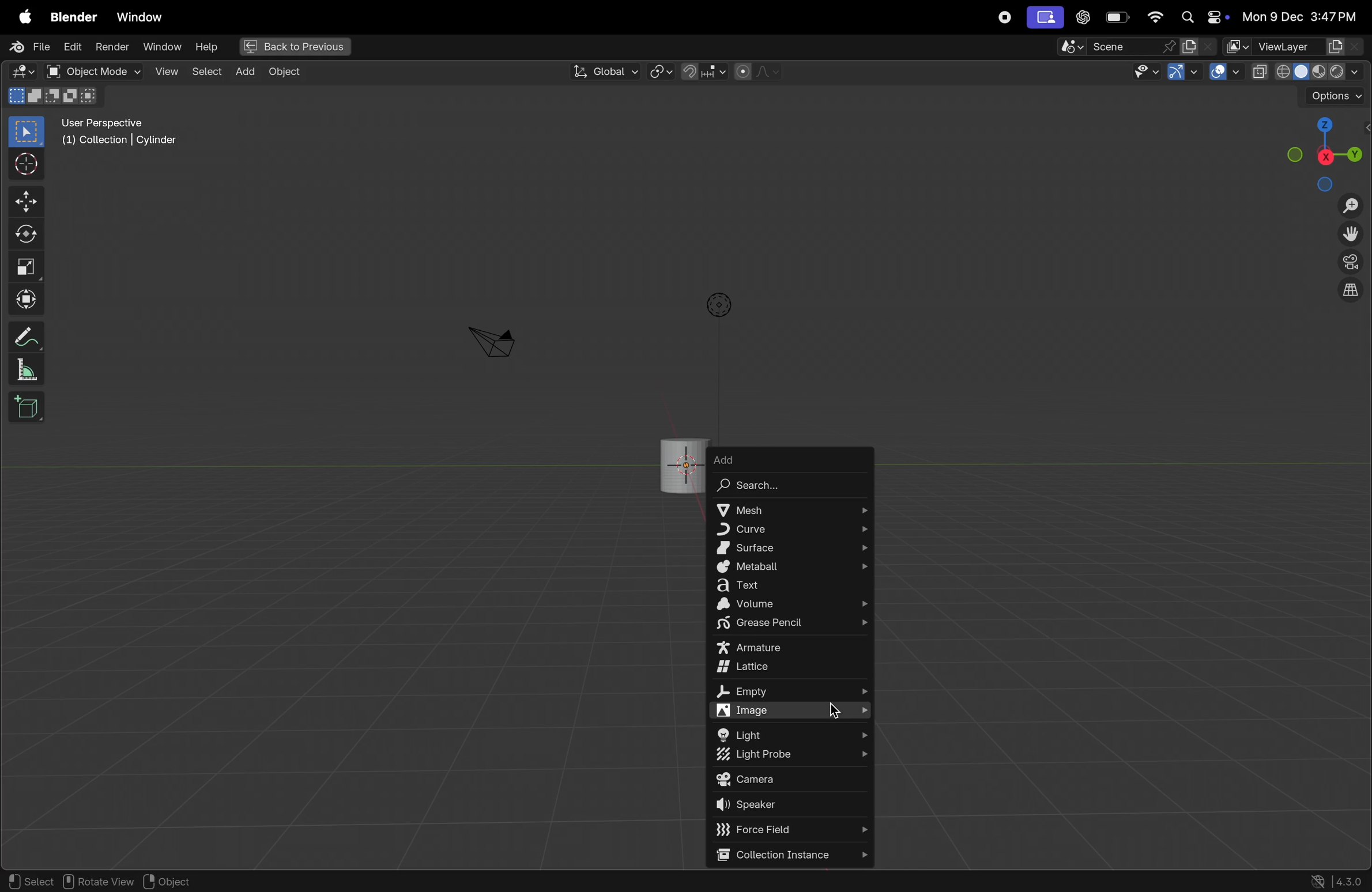  What do you see at coordinates (775, 487) in the screenshot?
I see `search` at bounding box center [775, 487].